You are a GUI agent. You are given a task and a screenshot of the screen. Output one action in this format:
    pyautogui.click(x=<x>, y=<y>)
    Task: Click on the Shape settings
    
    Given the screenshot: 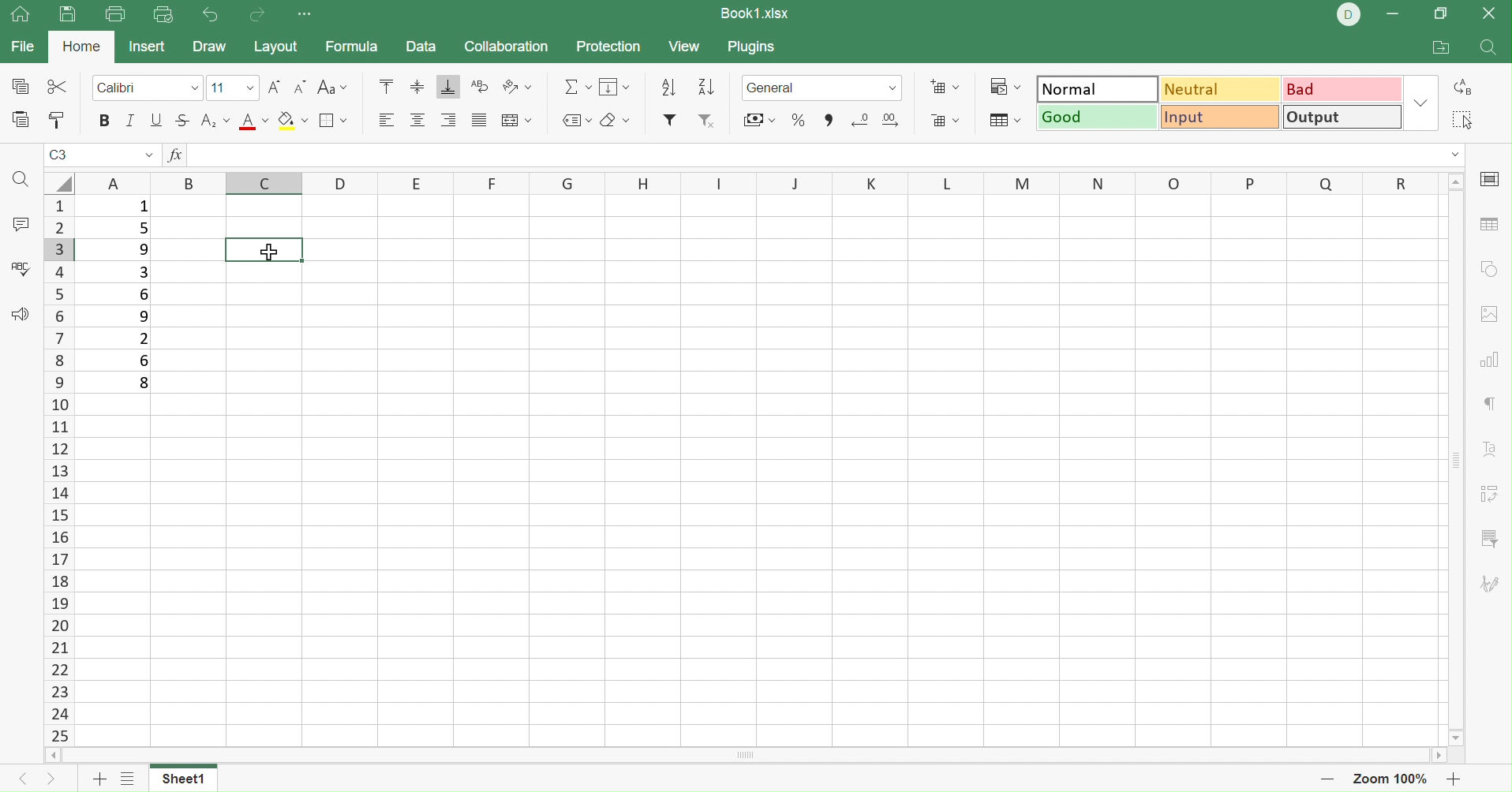 What is the action you would take?
    pyautogui.click(x=1491, y=271)
    